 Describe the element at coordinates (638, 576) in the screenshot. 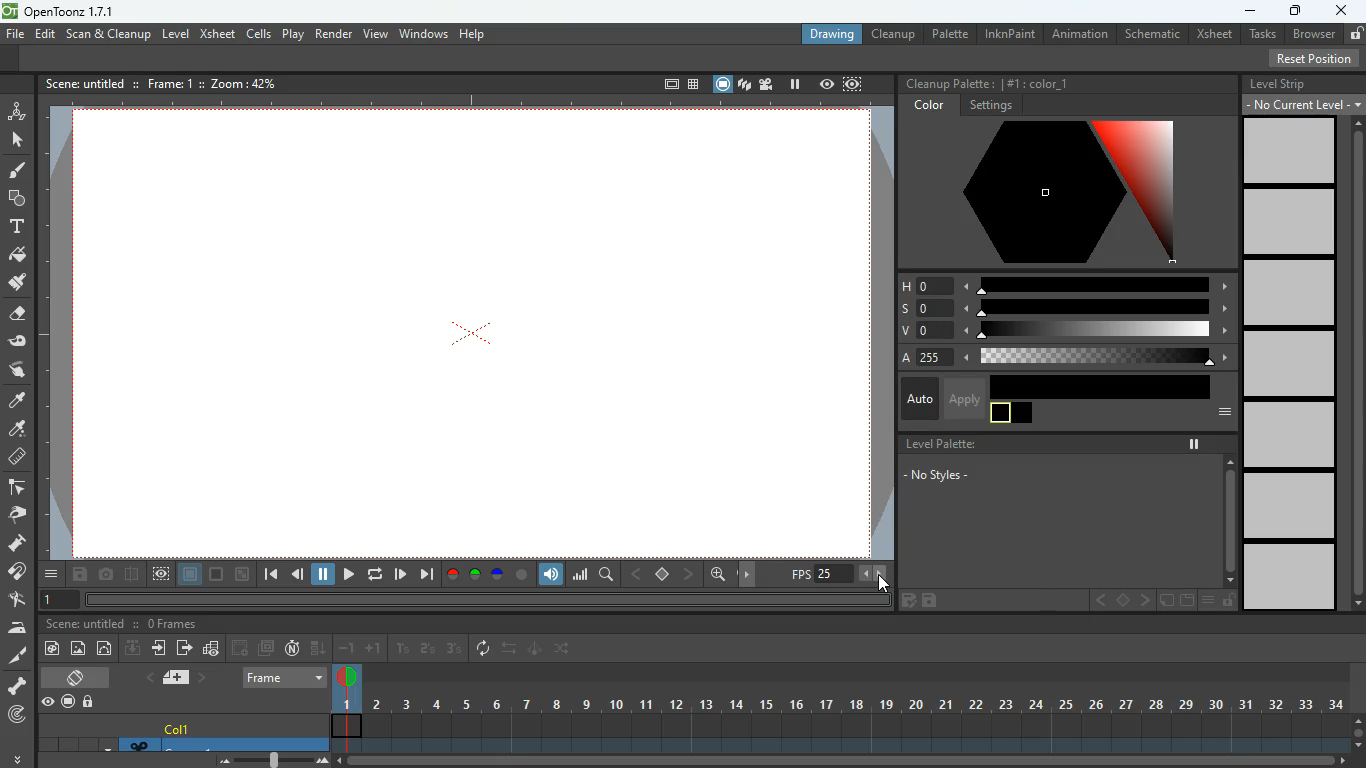

I see `left` at that location.